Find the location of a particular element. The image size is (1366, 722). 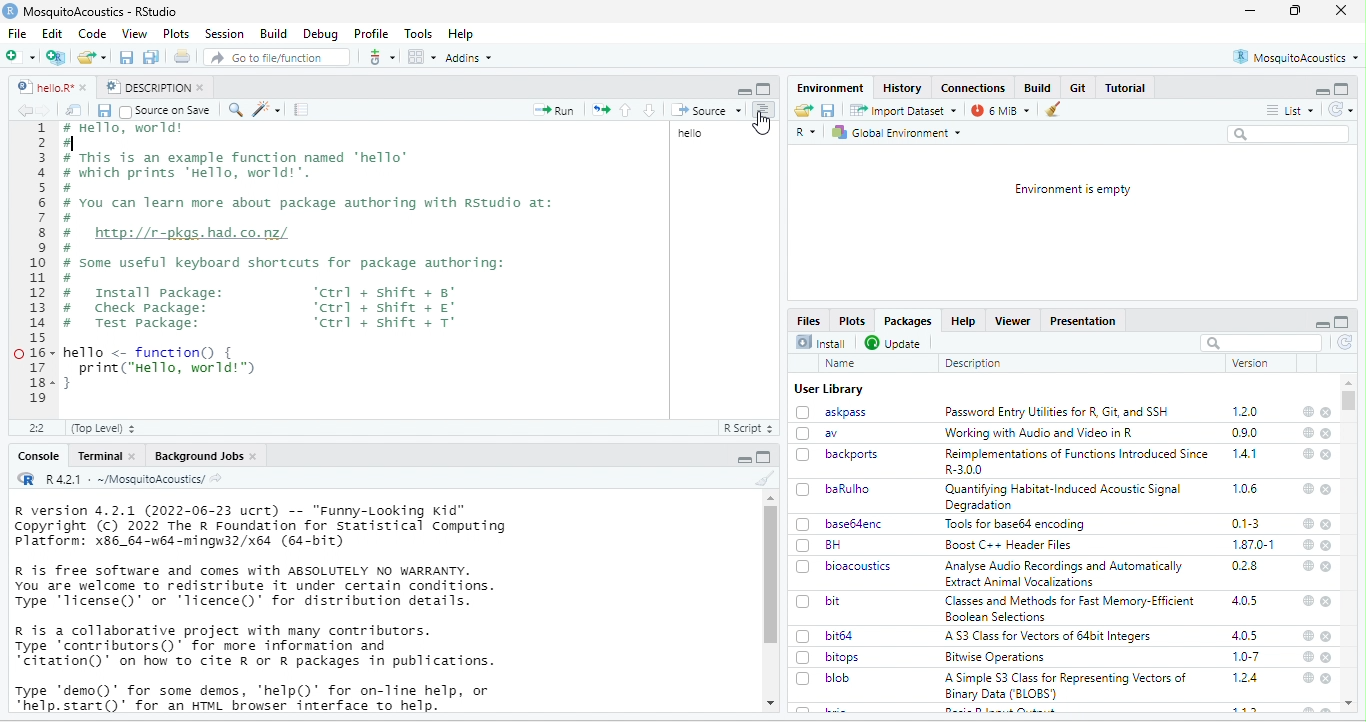

12:1 is located at coordinates (40, 427).